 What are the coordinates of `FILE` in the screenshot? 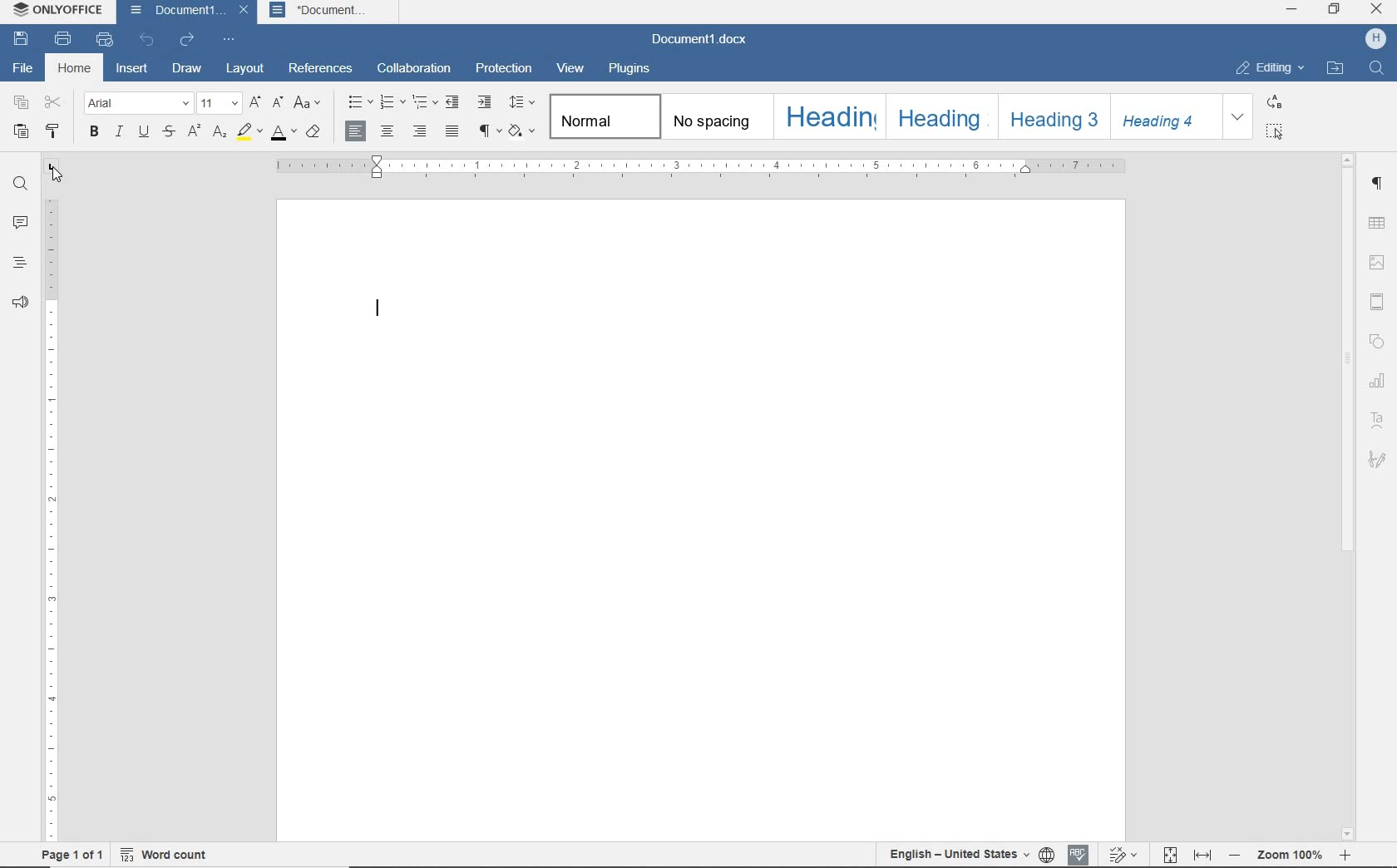 It's located at (23, 68).